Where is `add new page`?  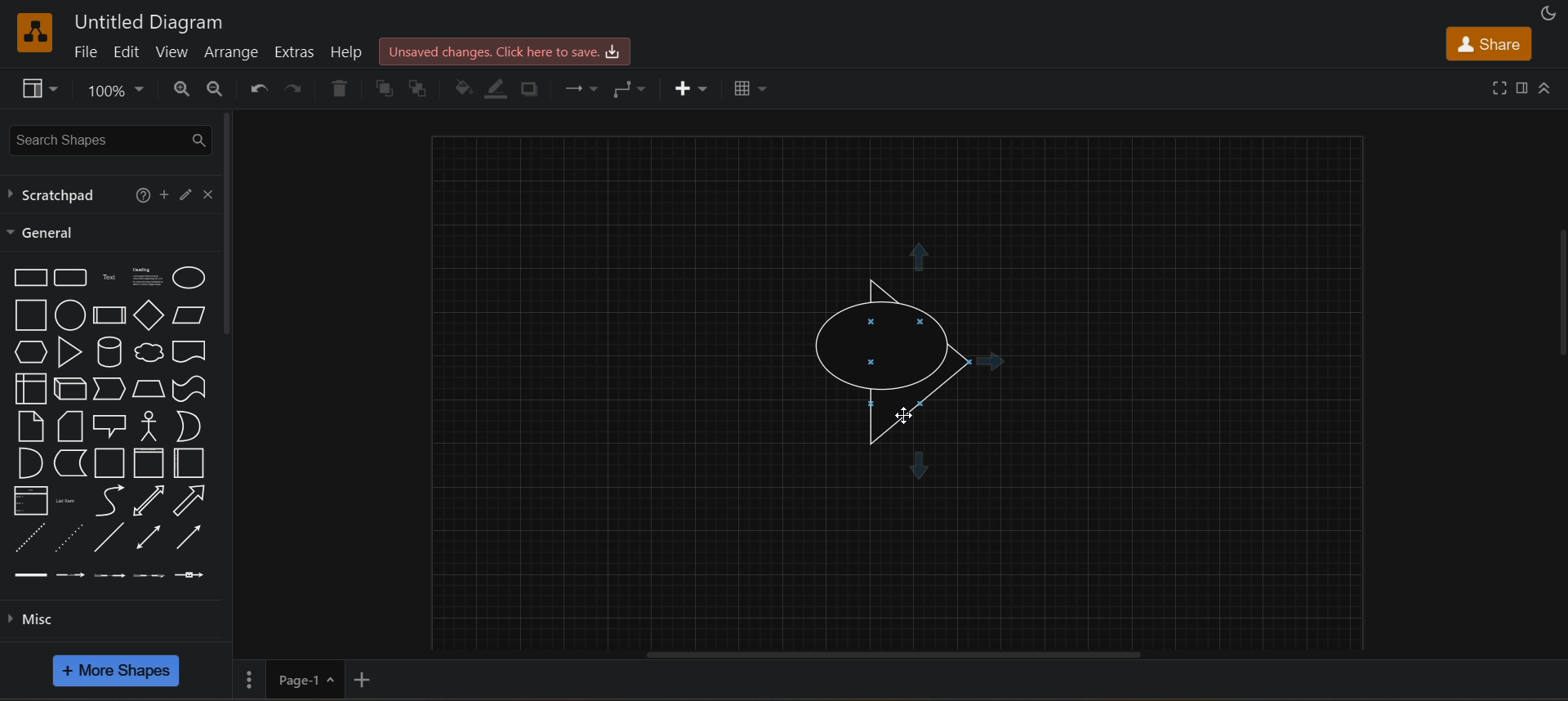 add new page is located at coordinates (378, 678).